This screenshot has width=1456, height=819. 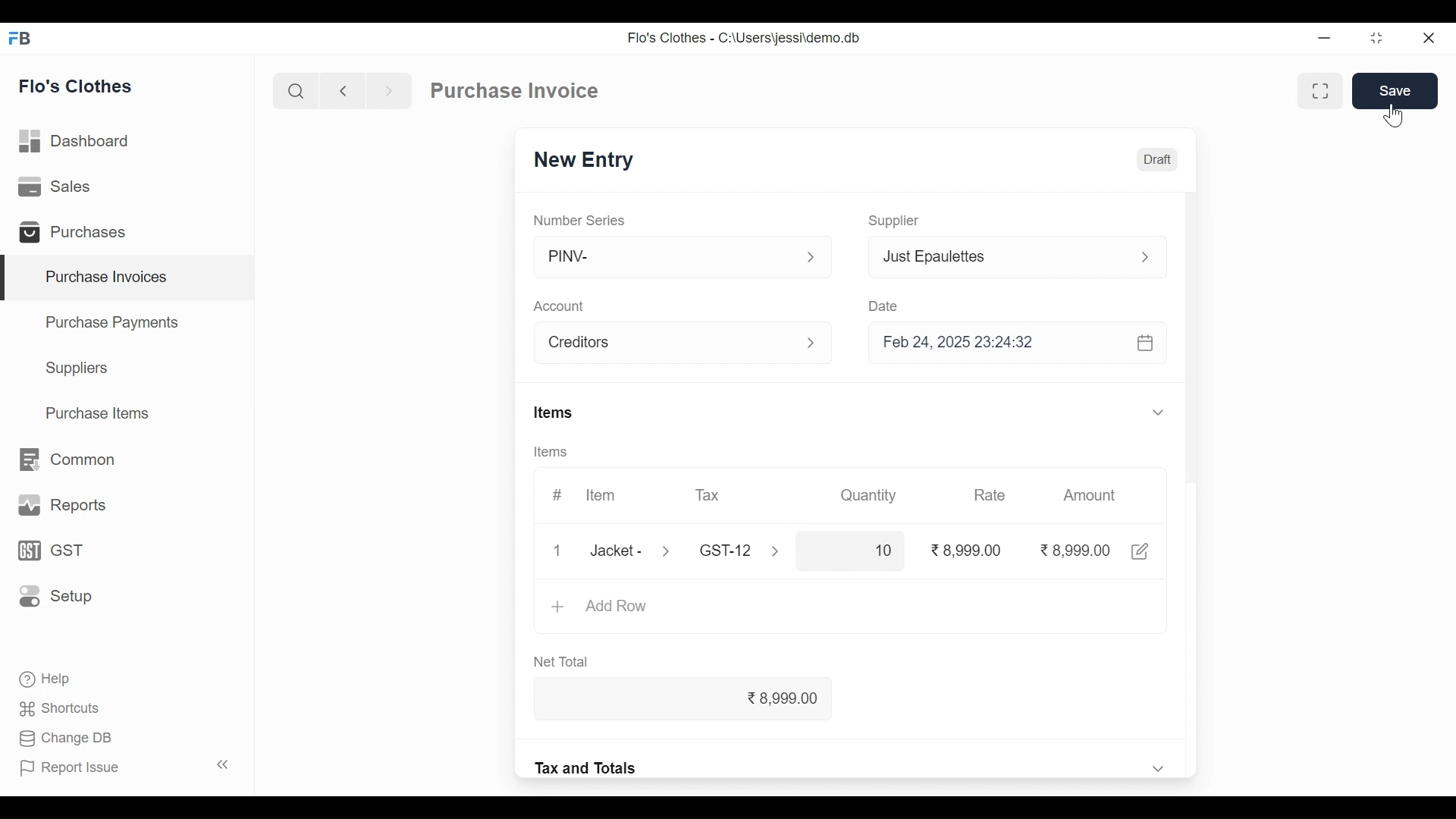 What do you see at coordinates (130, 278) in the screenshot?
I see `Purchase Invoices` at bounding box center [130, 278].